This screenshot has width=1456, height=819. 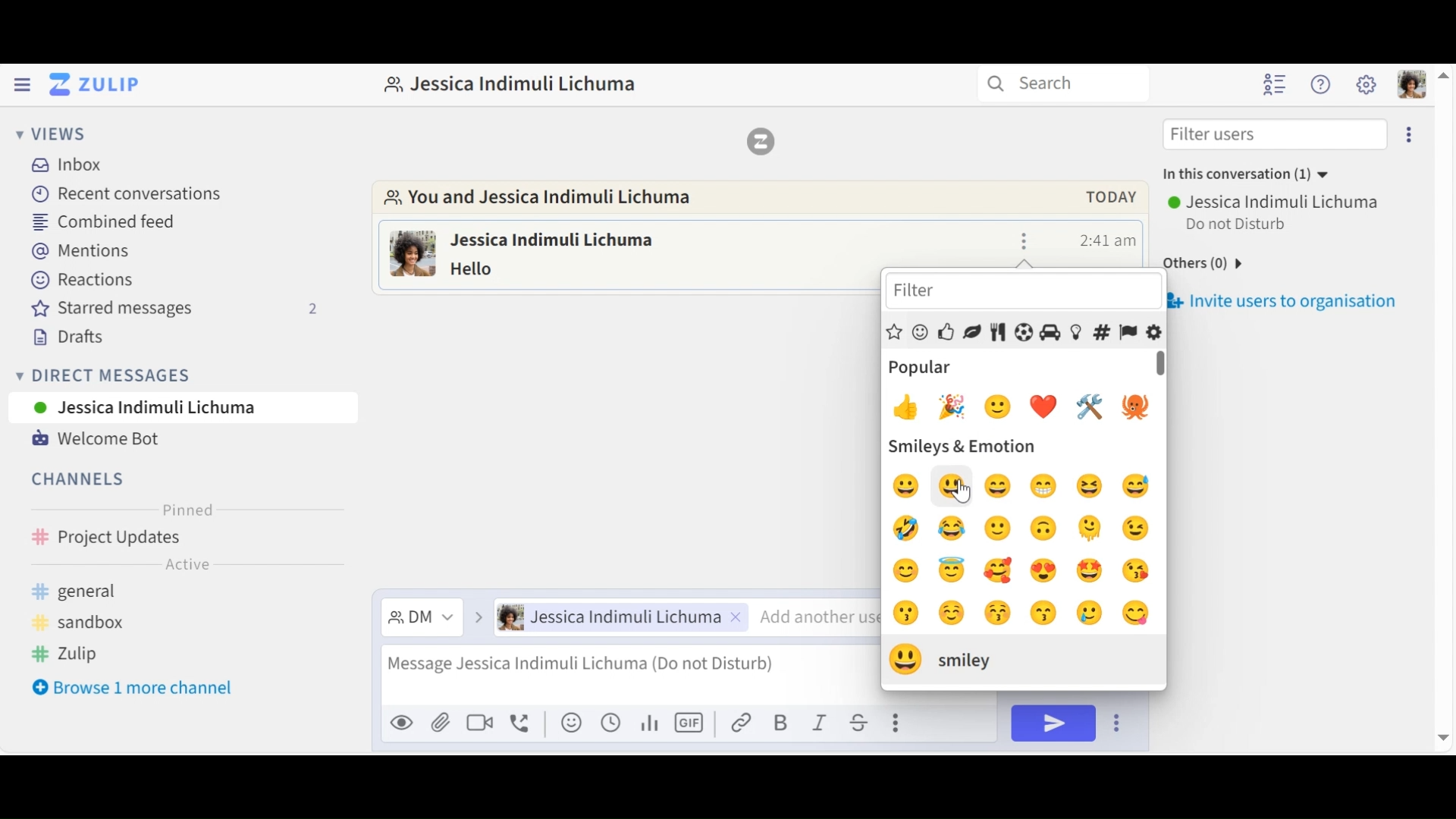 I want to click on starry eyes, so click(x=1087, y=570).